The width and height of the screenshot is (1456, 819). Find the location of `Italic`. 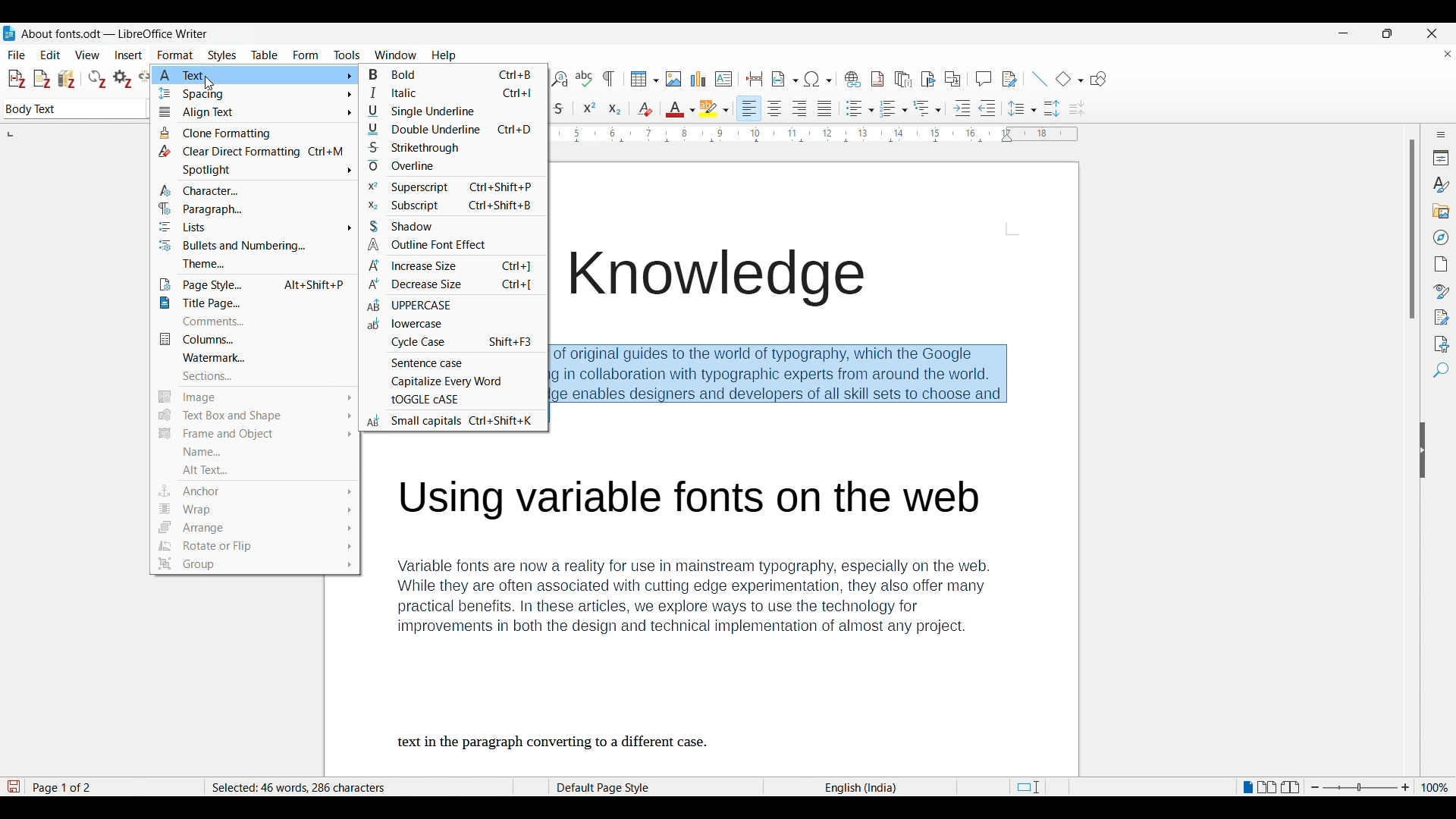

Italic is located at coordinates (450, 93).